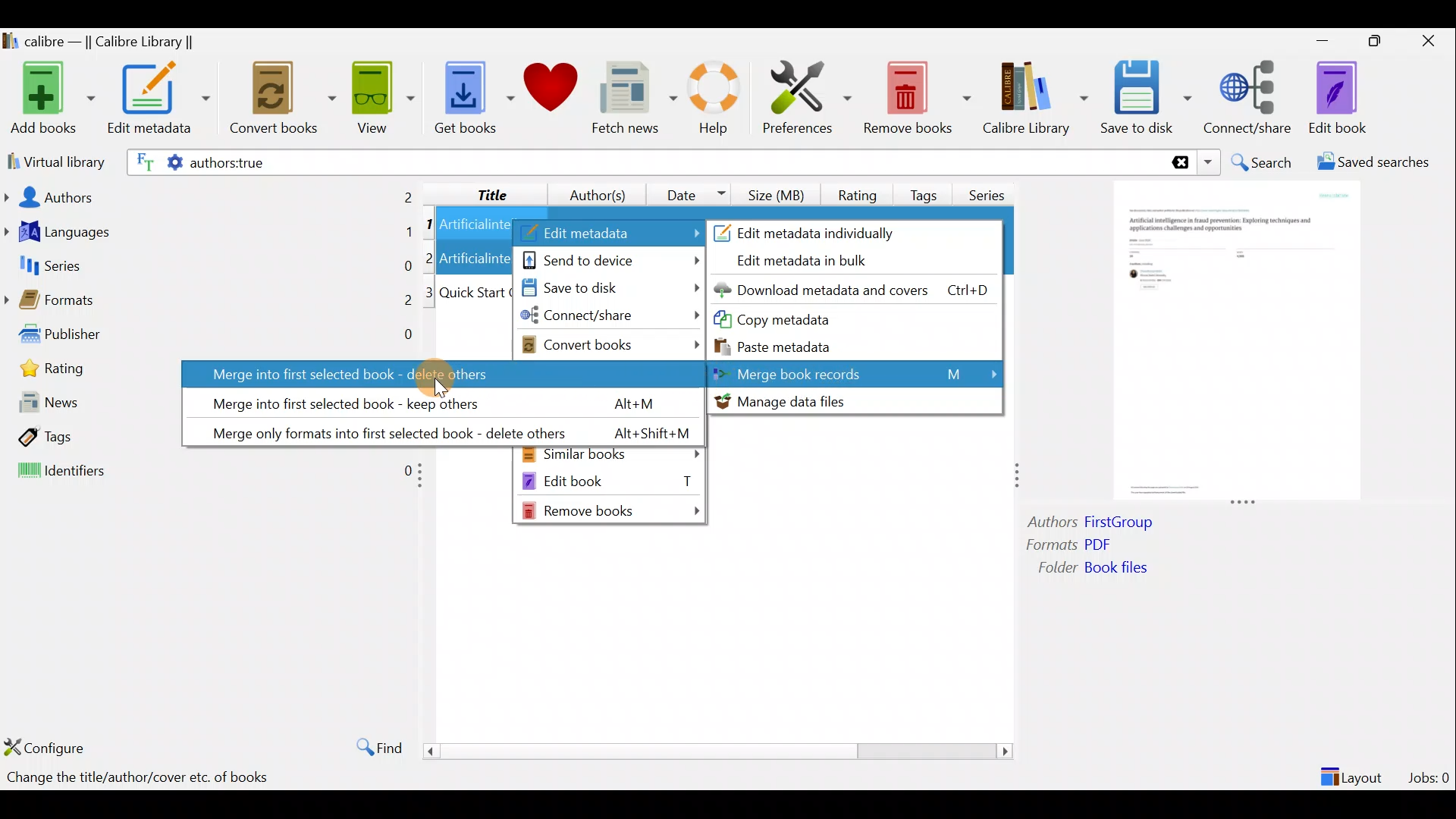 This screenshot has width=1456, height=819. I want to click on Edit metadata, so click(158, 101).